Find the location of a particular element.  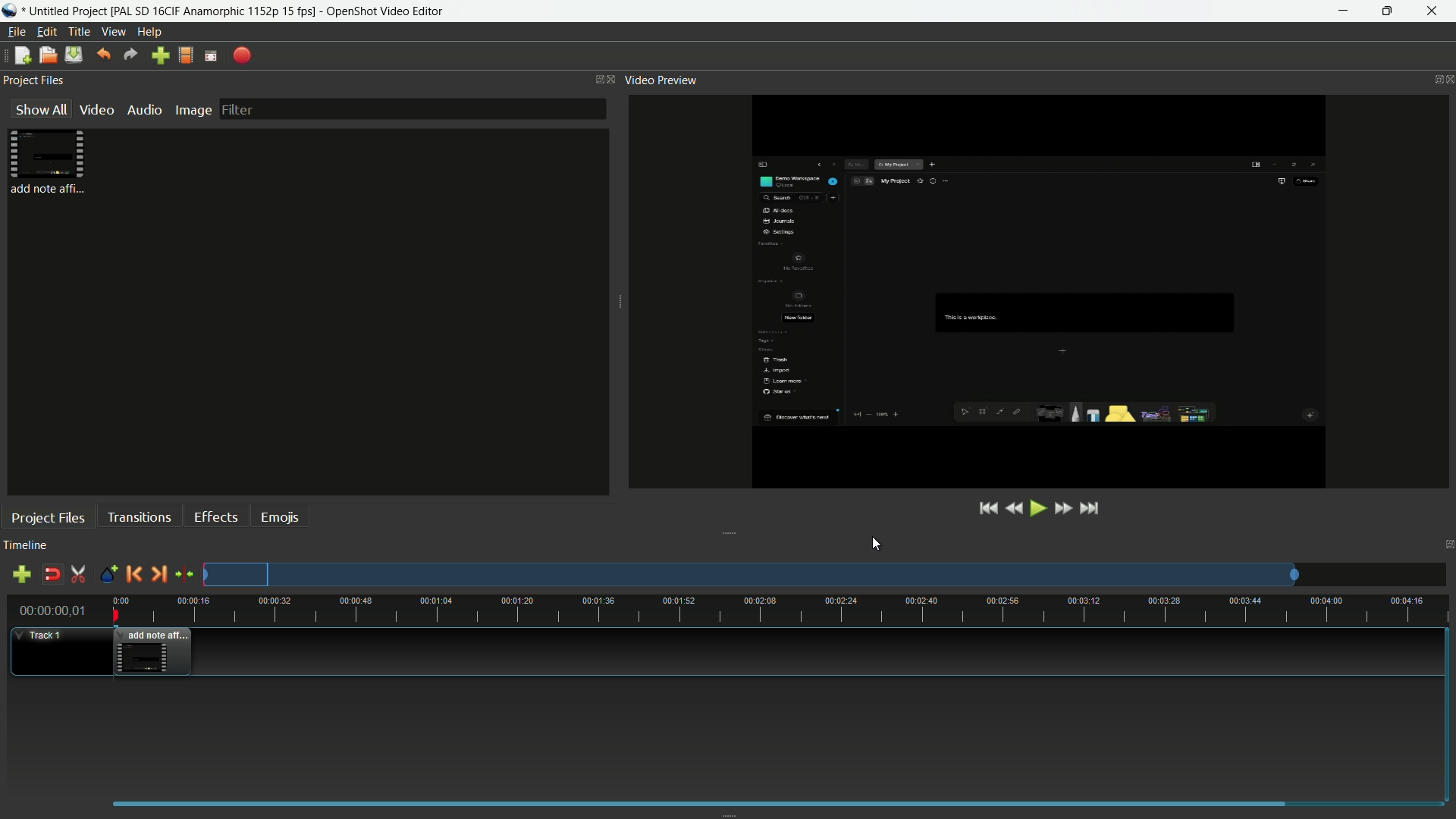

close project files is located at coordinates (613, 78).